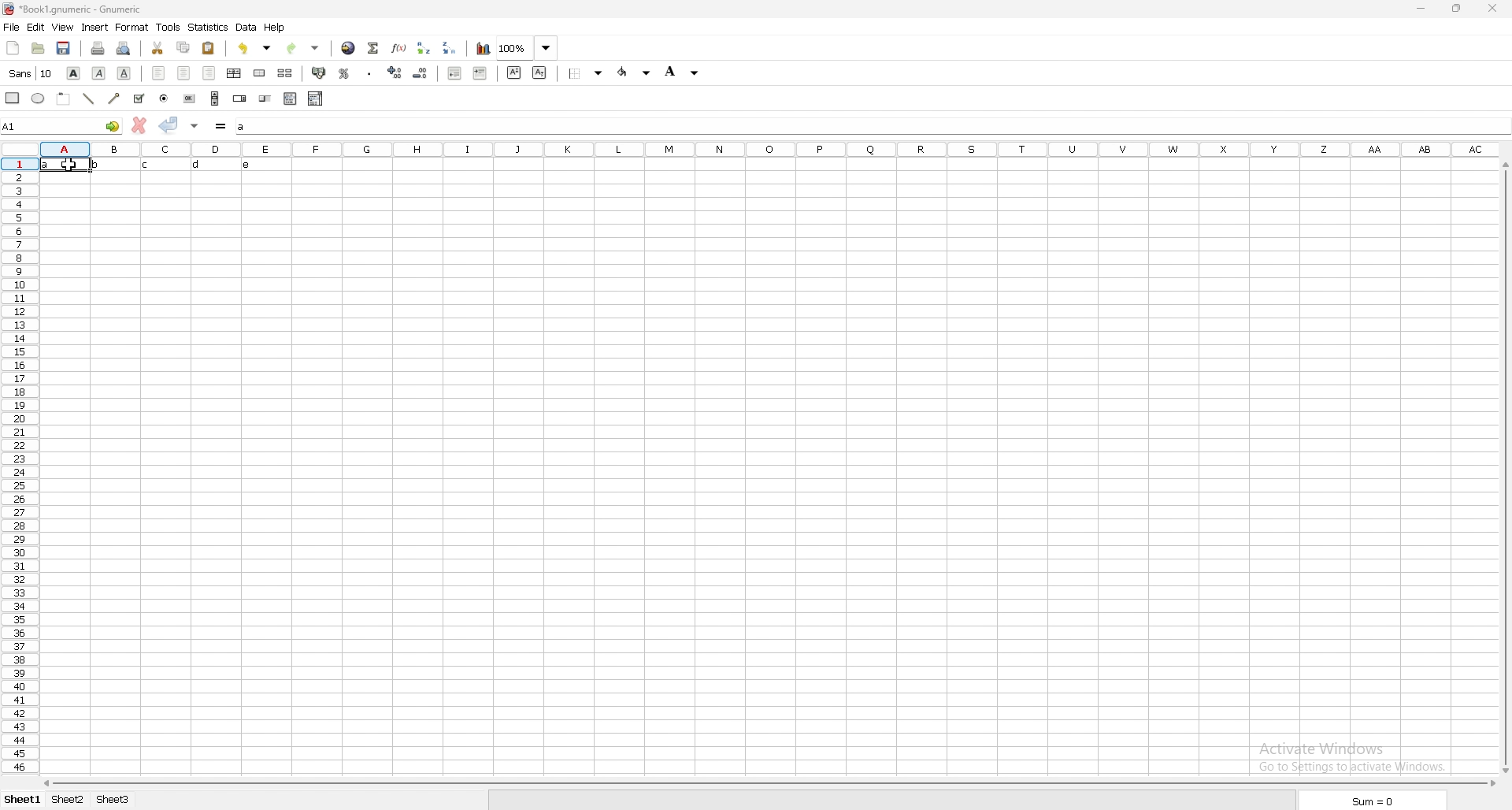 Image resolution: width=1512 pixels, height=810 pixels. Describe the element at coordinates (157, 72) in the screenshot. I see `left align` at that location.